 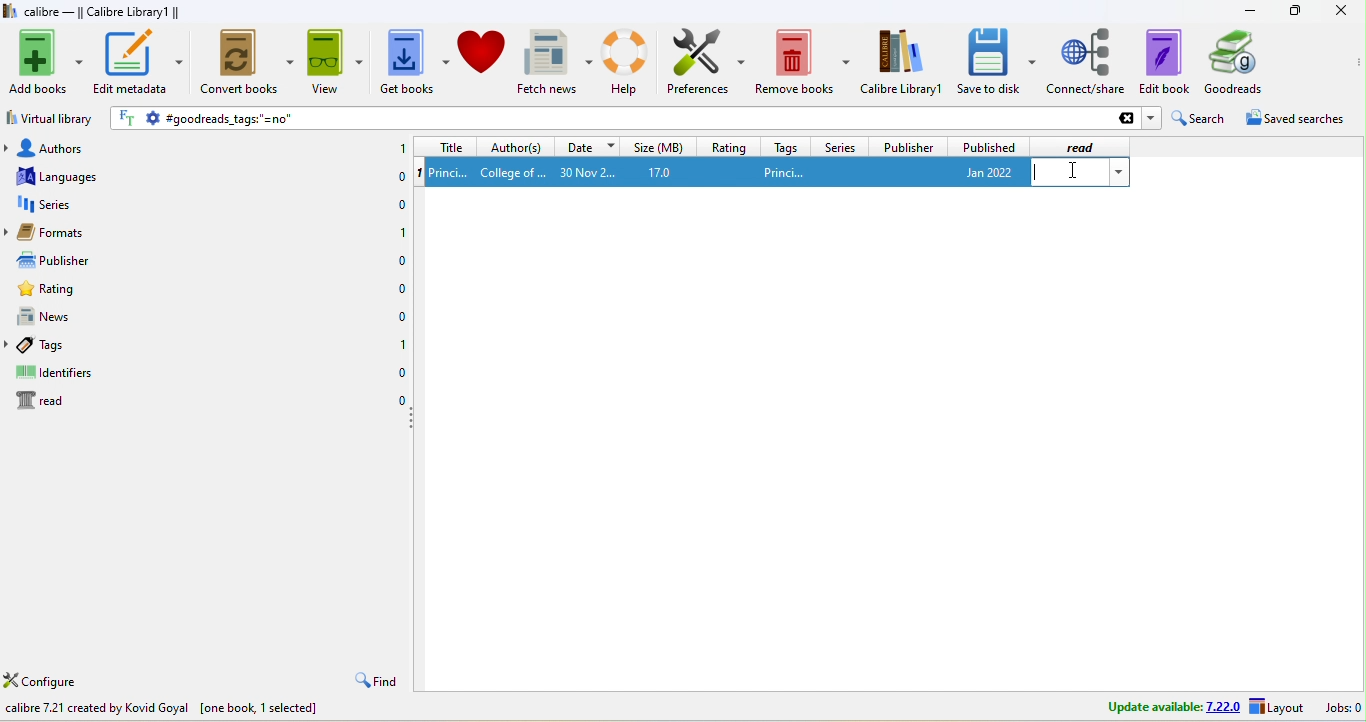 What do you see at coordinates (397, 179) in the screenshot?
I see `0` at bounding box center [397, 179].